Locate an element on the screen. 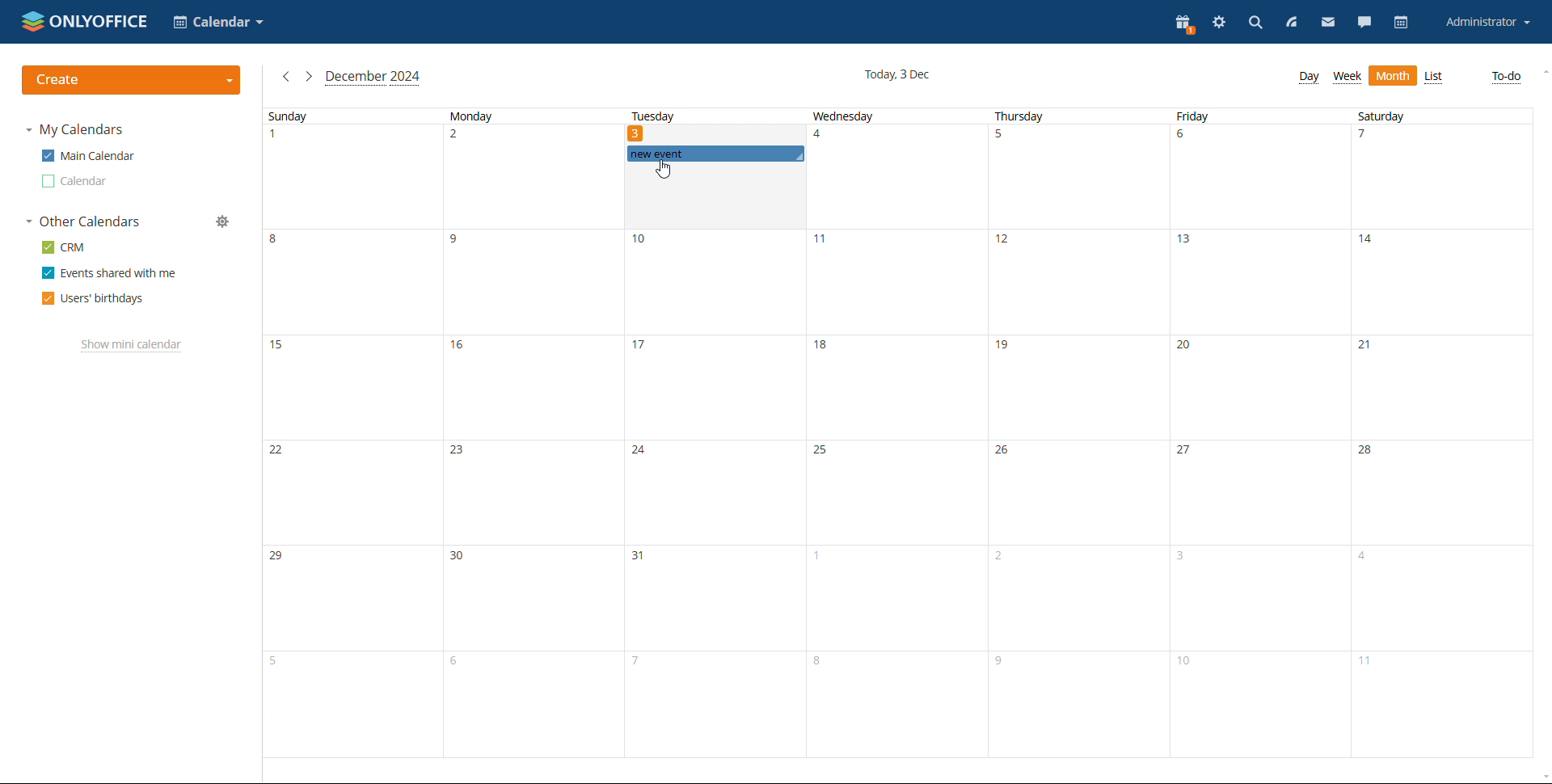  crm is located at coordinates (62, 248).